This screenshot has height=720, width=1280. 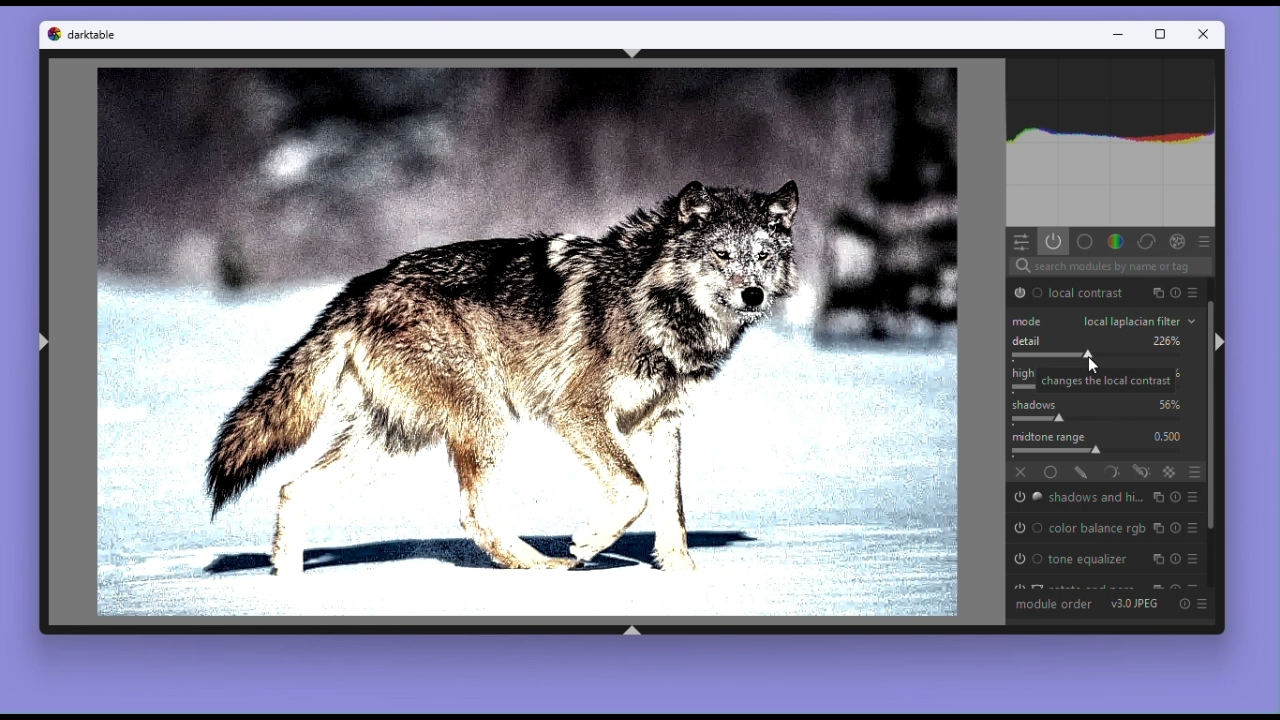 I want to click on color balance rgb, so click(x=1097, y=527).